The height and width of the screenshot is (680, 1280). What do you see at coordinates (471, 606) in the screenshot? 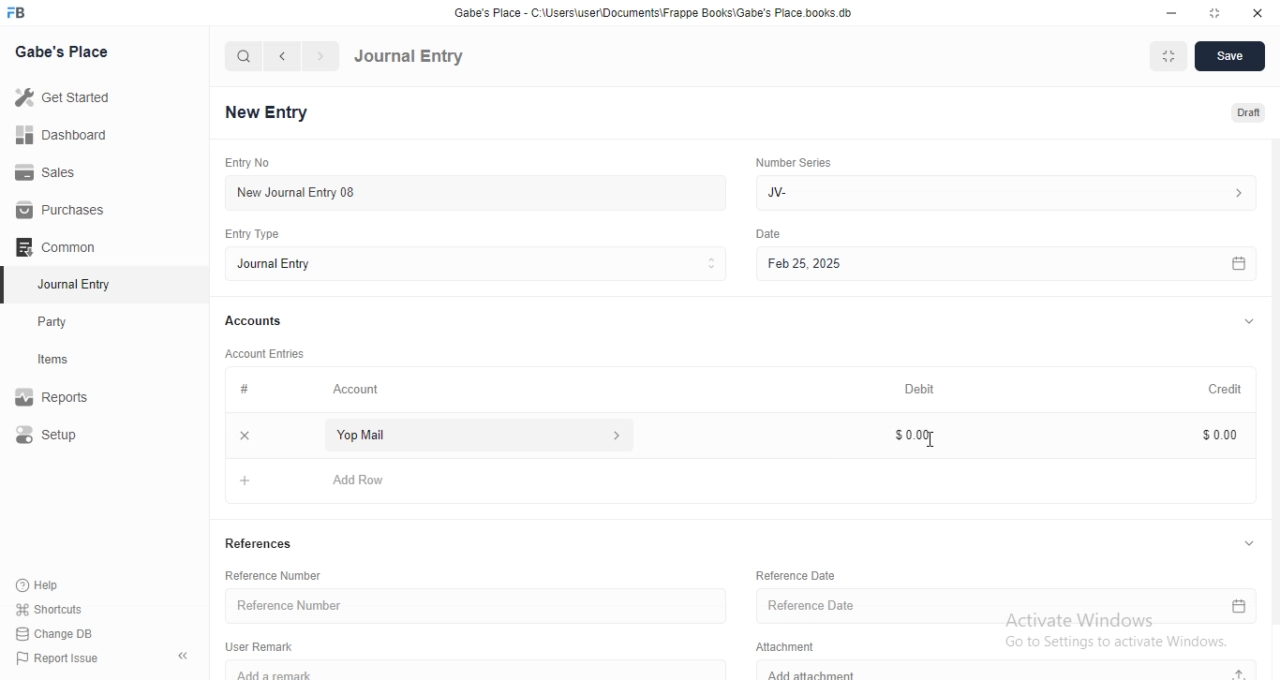
I see `Reference Number` at bounding box center [471, 606].